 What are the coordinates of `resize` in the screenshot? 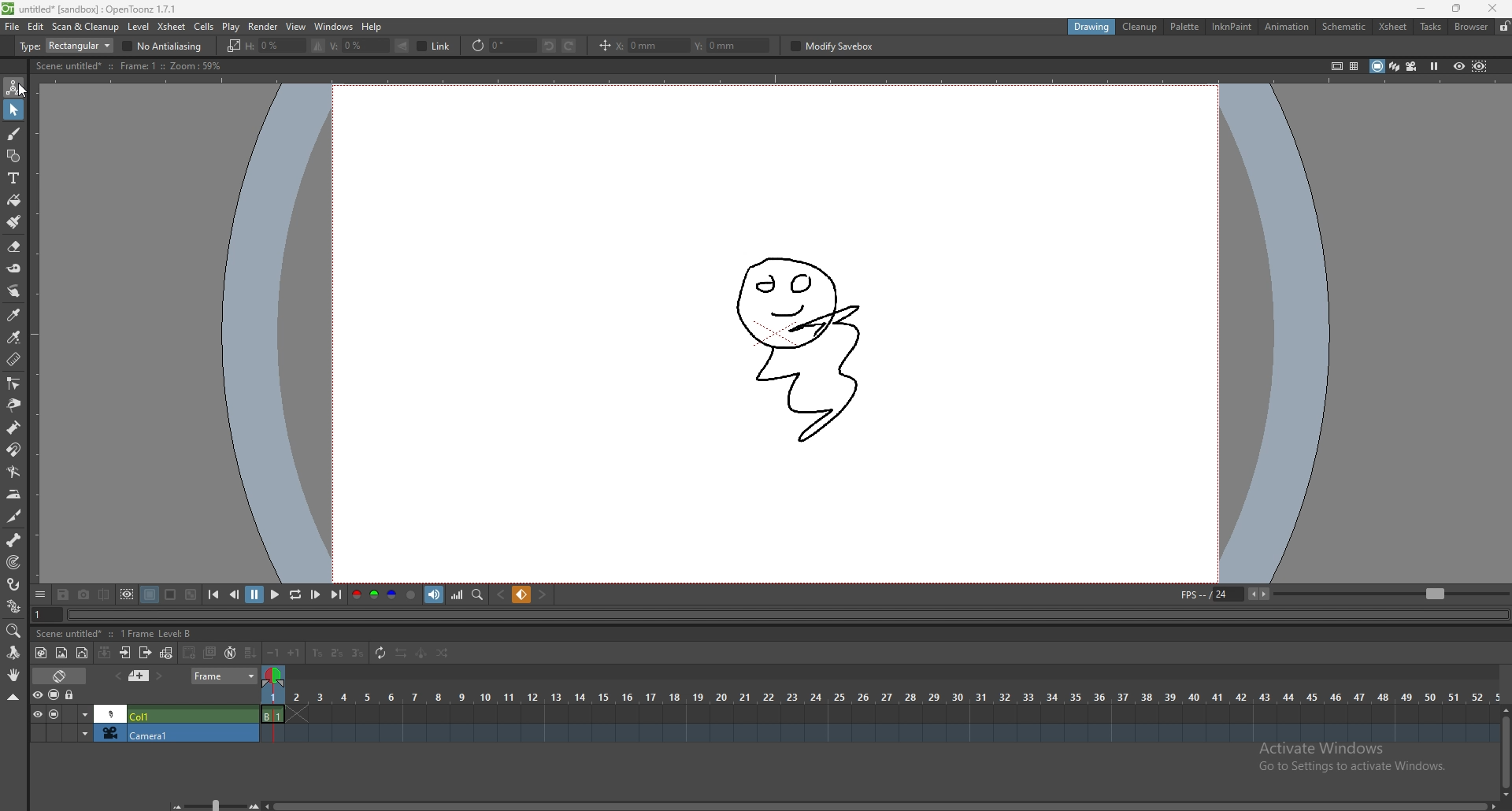 It's located at (1454, 9).